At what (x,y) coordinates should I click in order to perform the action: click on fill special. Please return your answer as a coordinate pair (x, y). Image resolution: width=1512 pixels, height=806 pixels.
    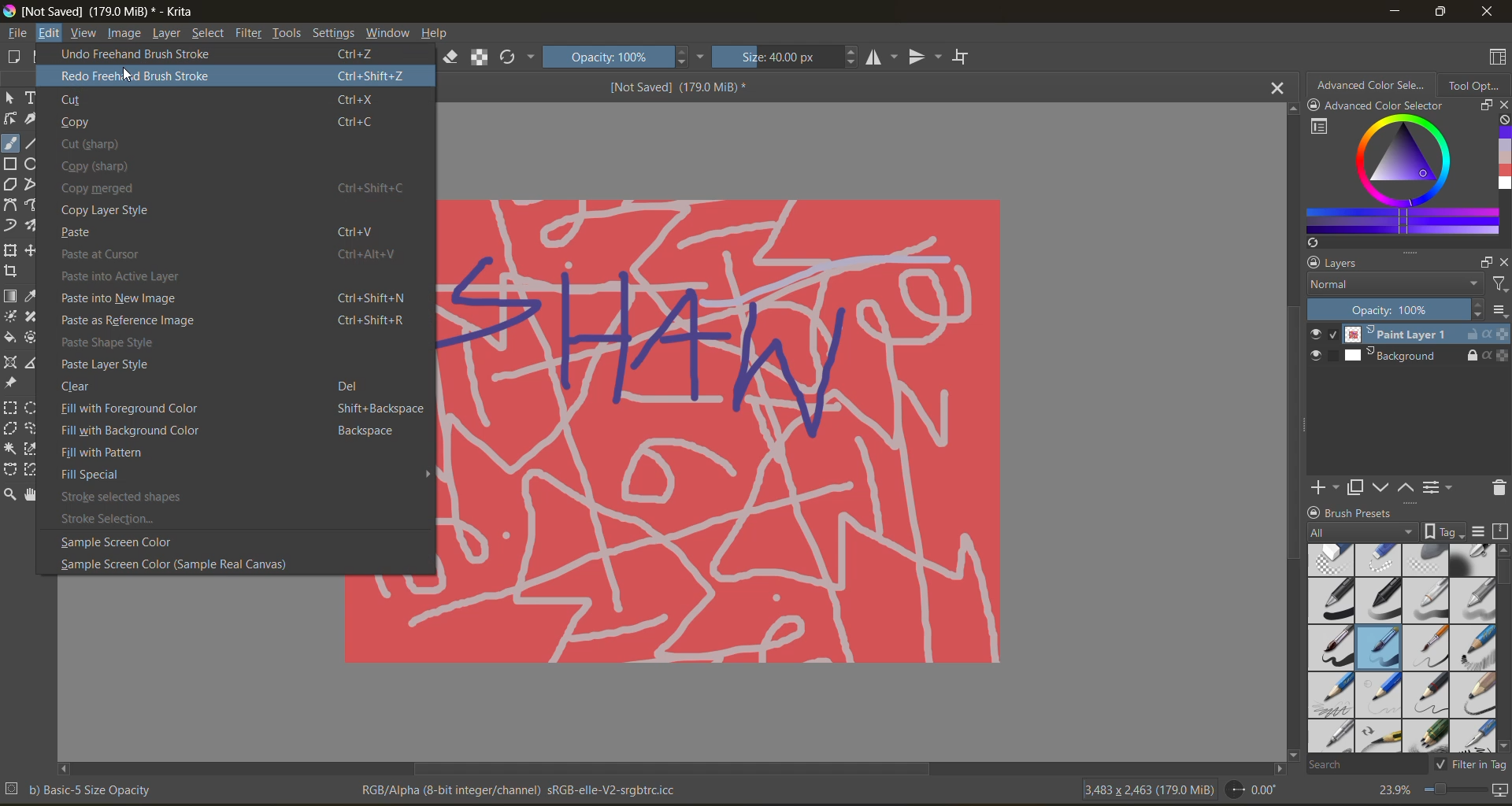
    Looking at the image, I should click on (99, 475).